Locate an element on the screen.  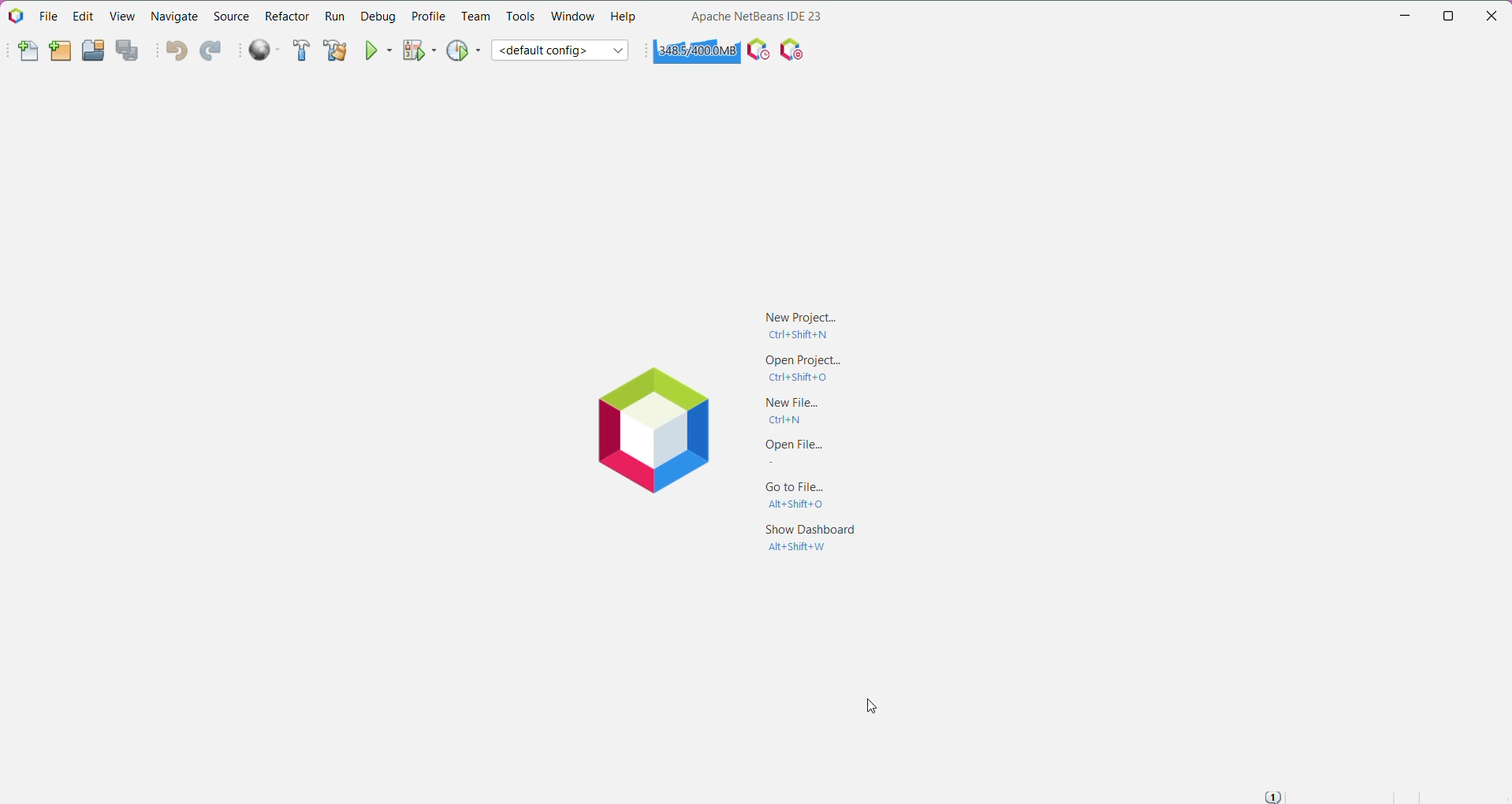
Run is located at coordinates (334, 17).